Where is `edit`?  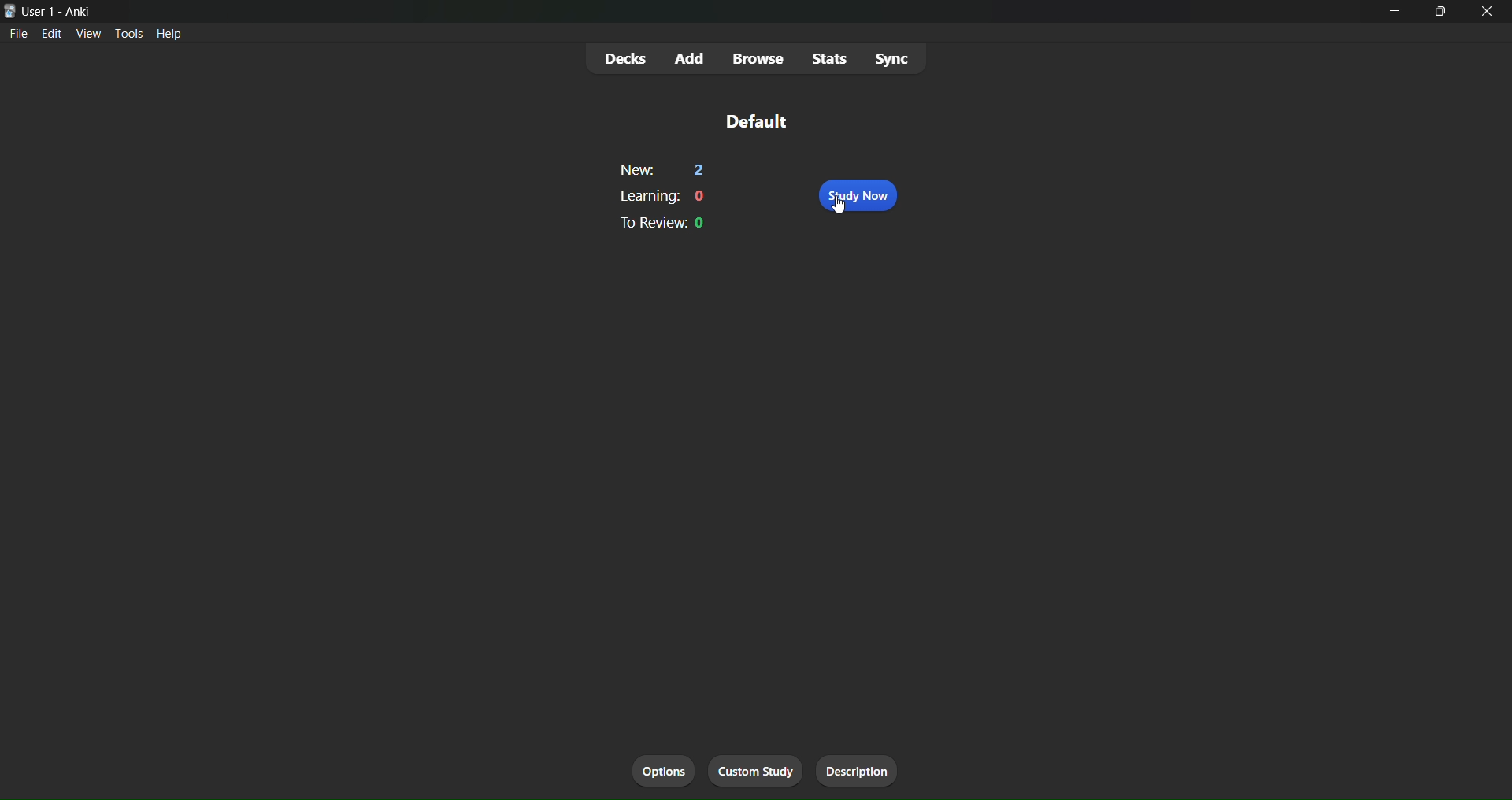
edit is located at coordinates (51, 36).